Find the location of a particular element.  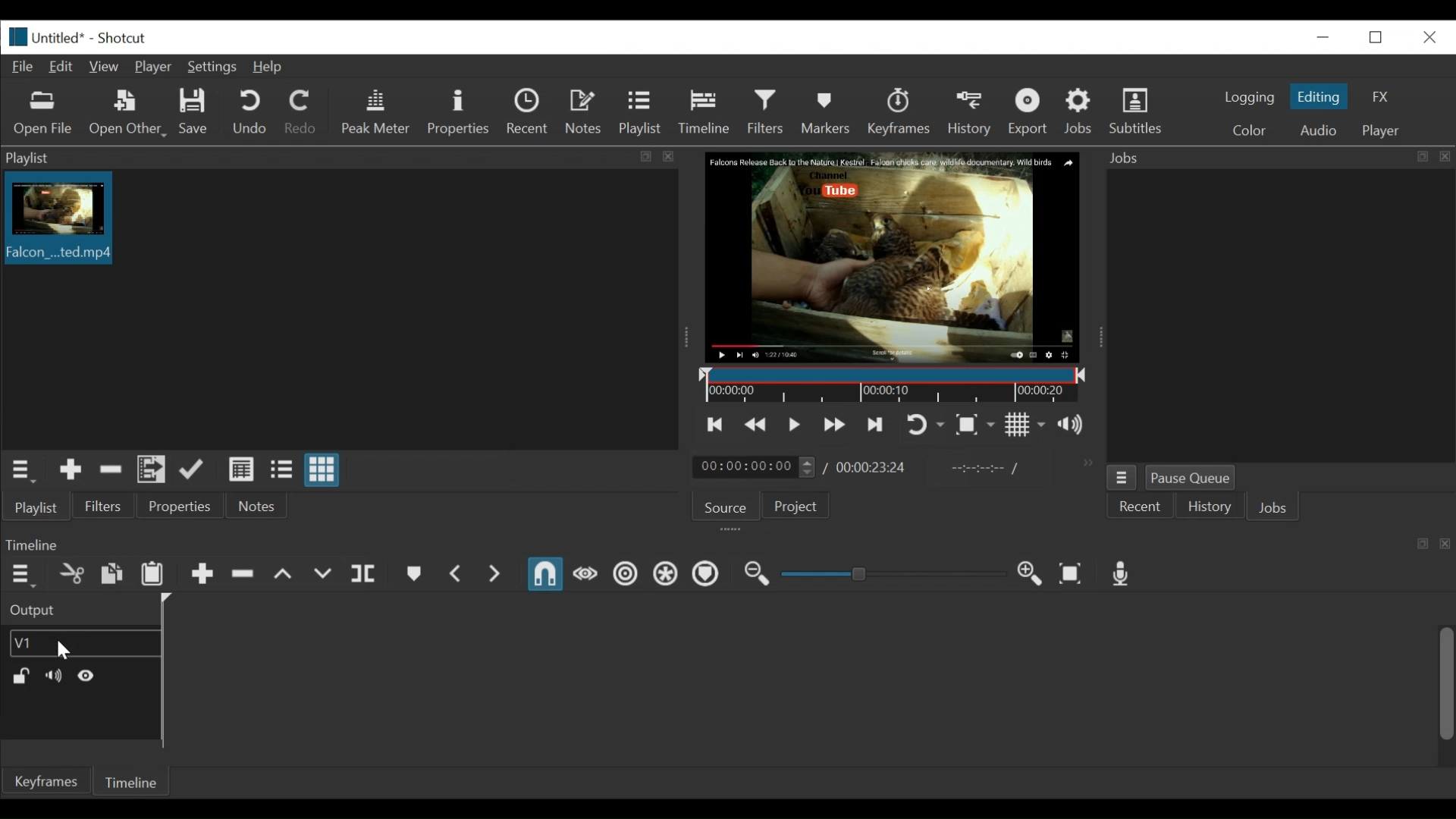

Project is located at coordinates (792, 504).